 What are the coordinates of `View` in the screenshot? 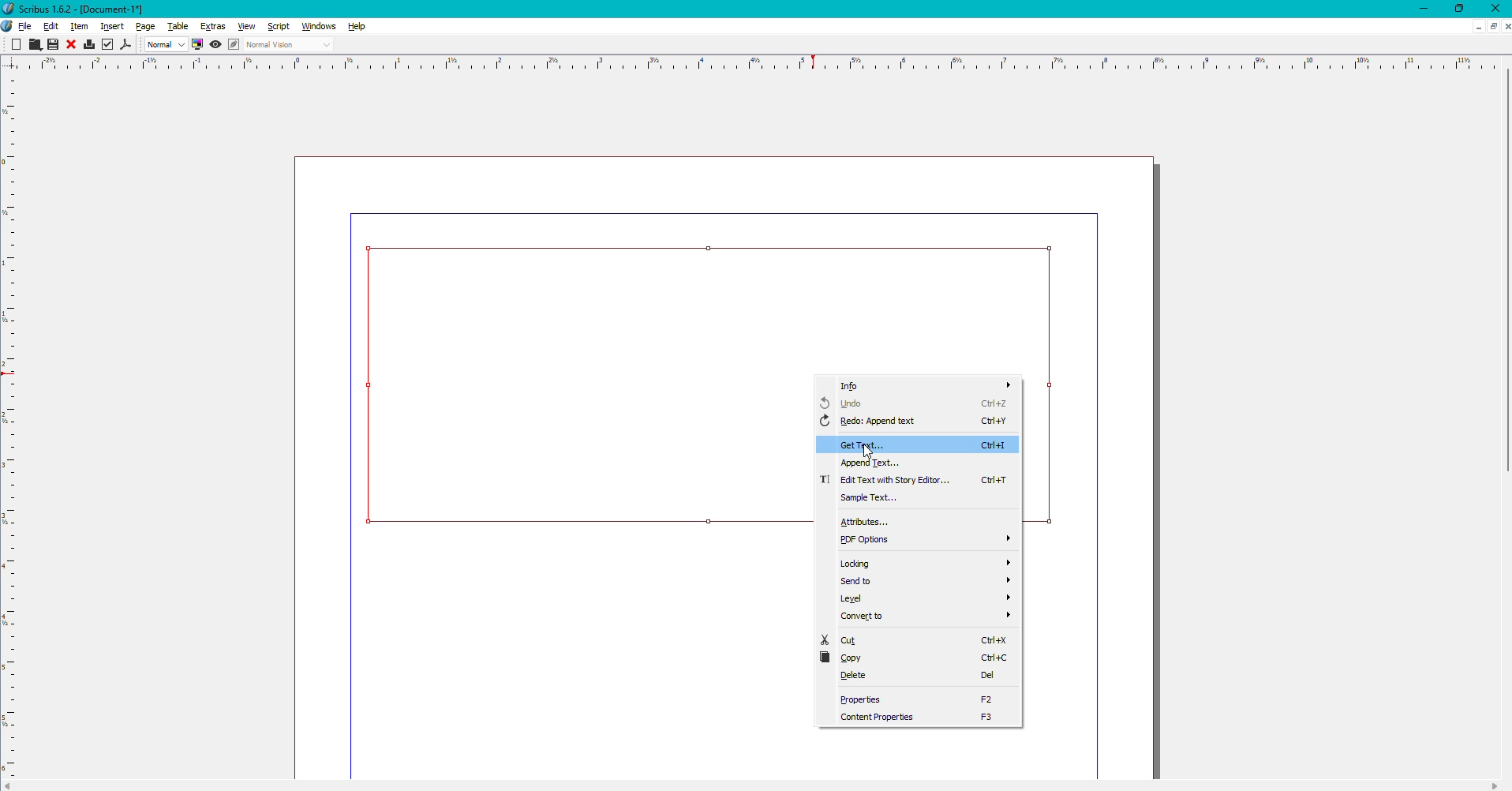 It's located at (214, 47).